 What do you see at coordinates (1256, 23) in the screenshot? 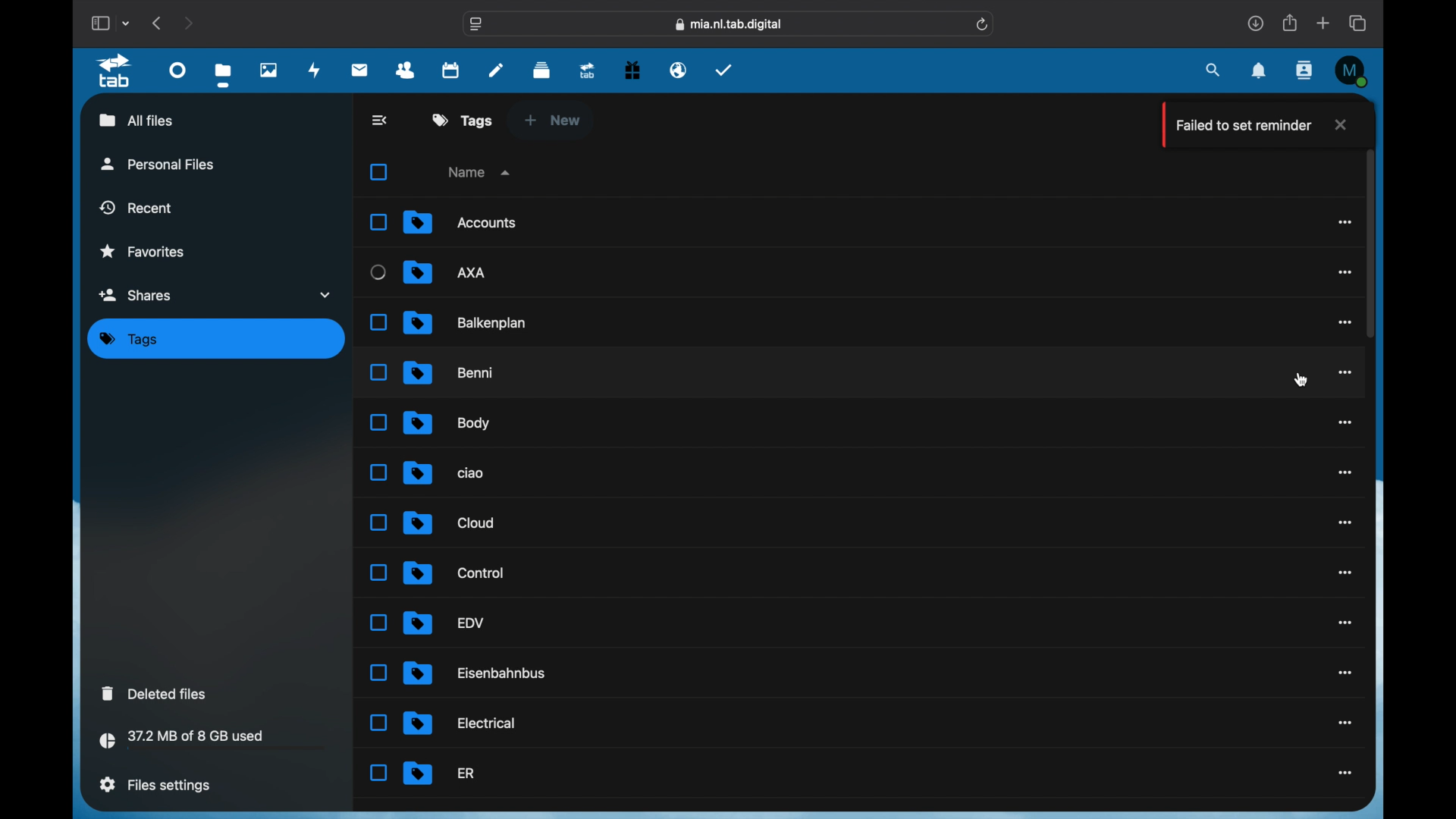
I see `downloads` at bounding box center [1256, 23].